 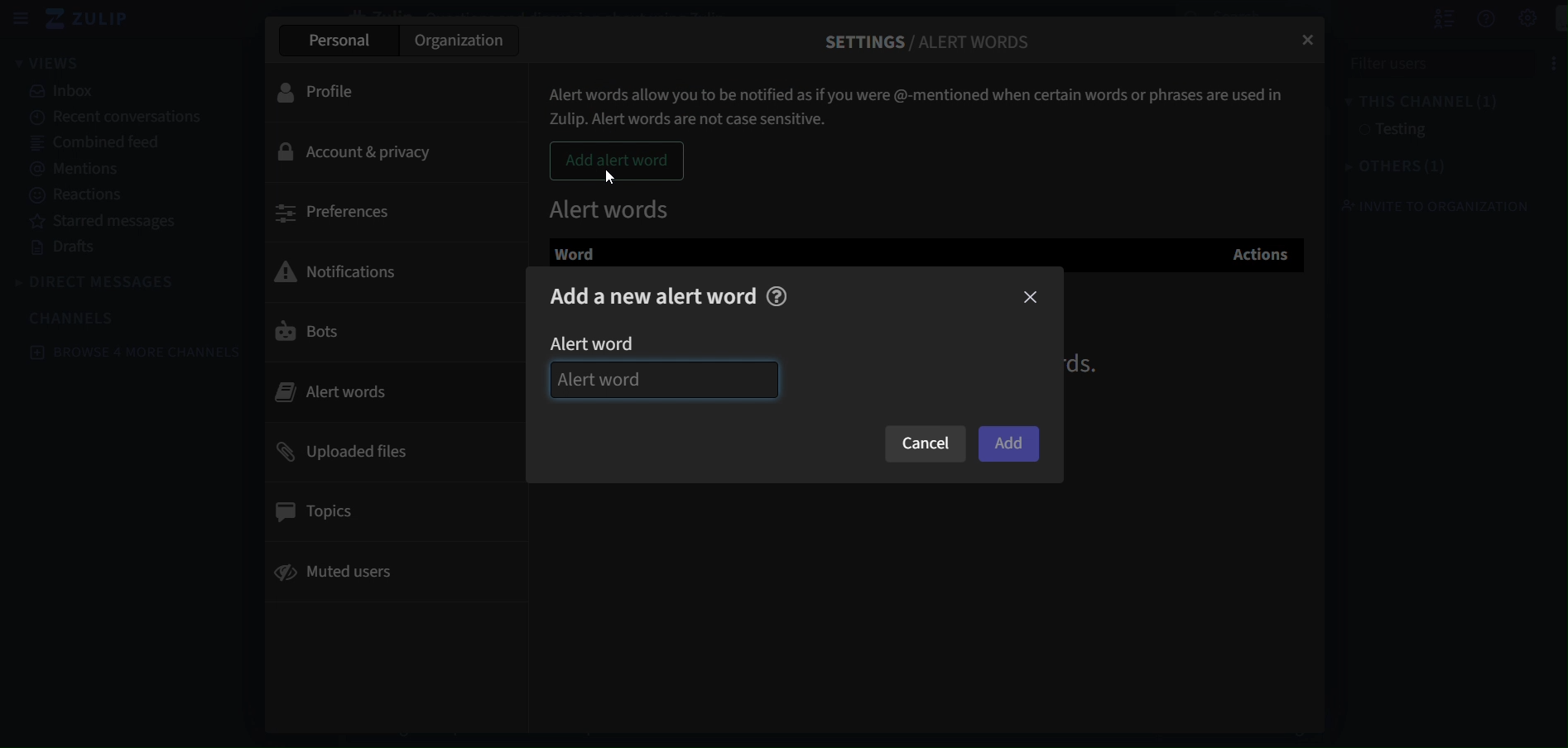 I want to click on others(1), so click(x=1387, y=168).